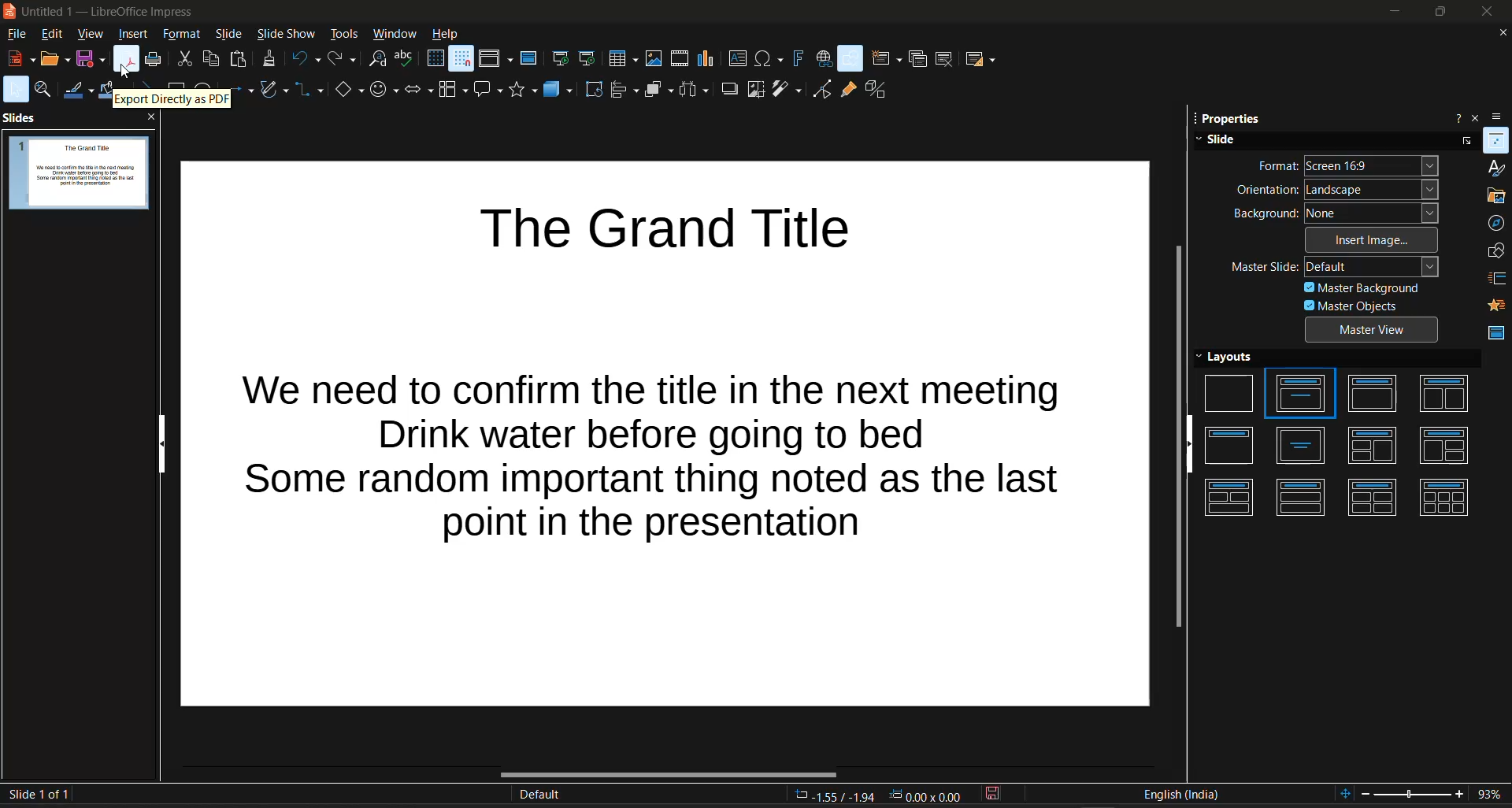 The height and width of the screenshot is (808, 1512). Describe the element at coordinates (1496, 141) in the screenshot. I see `properties` at that location.